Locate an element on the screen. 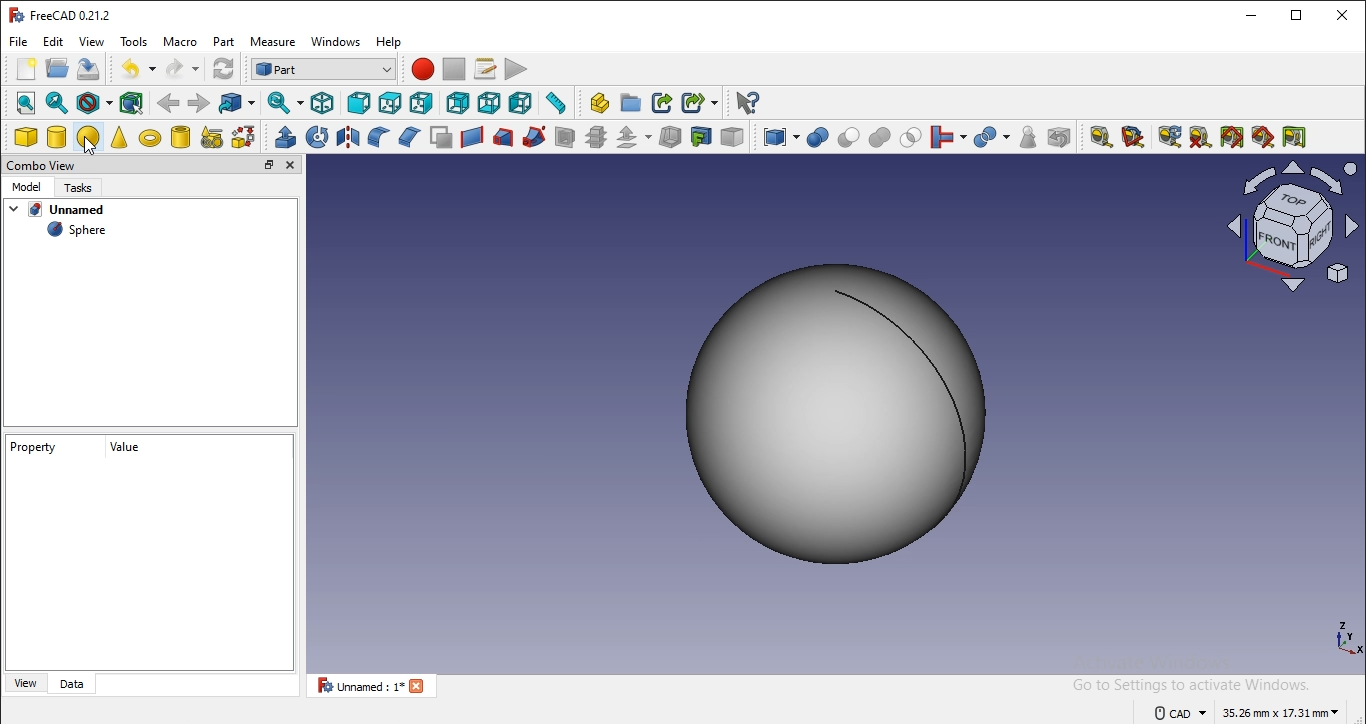 The width and height of the screenshot is (1366, 724). top is located at coordinates (390, 103).